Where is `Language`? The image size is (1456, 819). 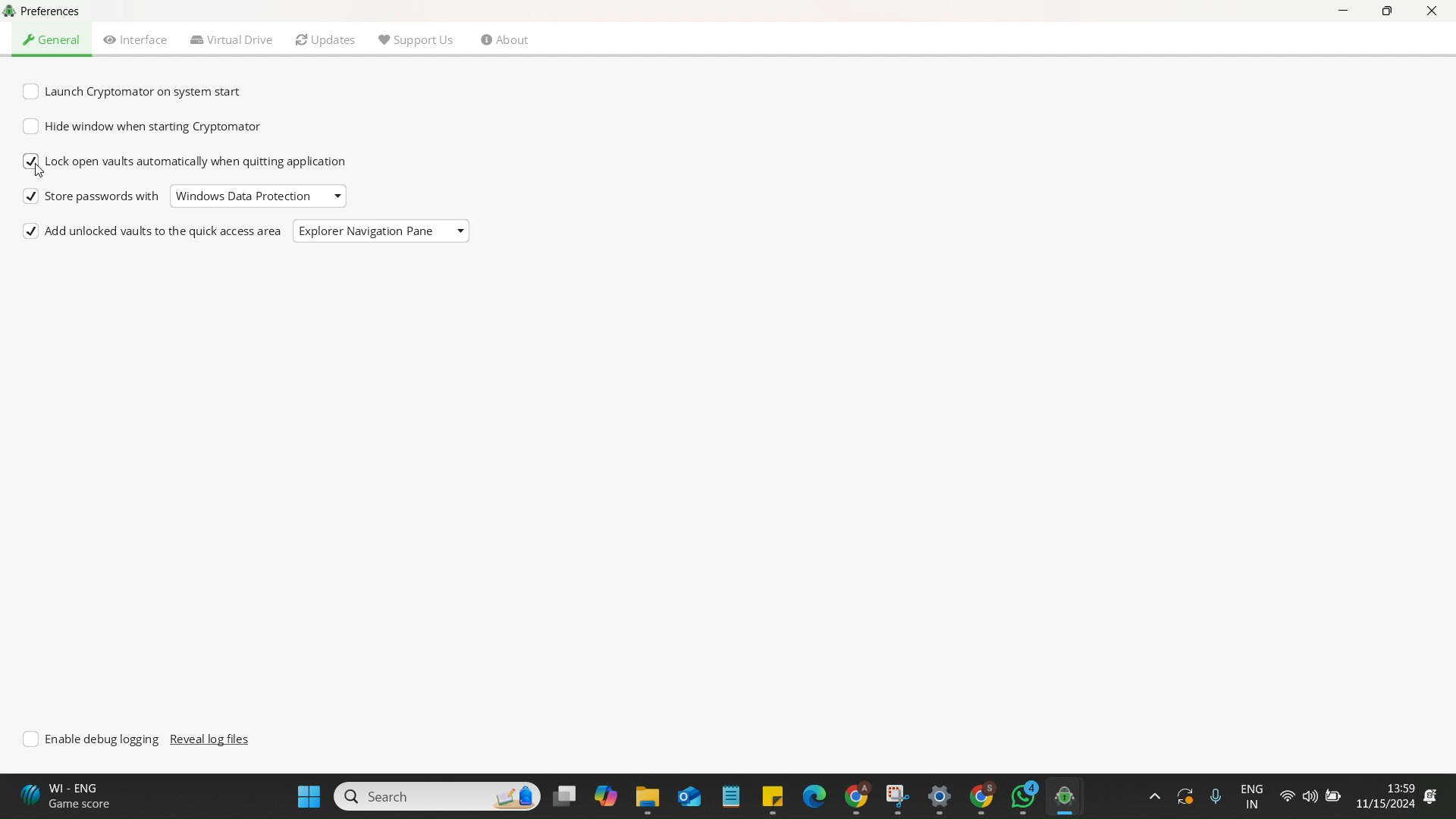
Language is located at coordinates (1254, 797).